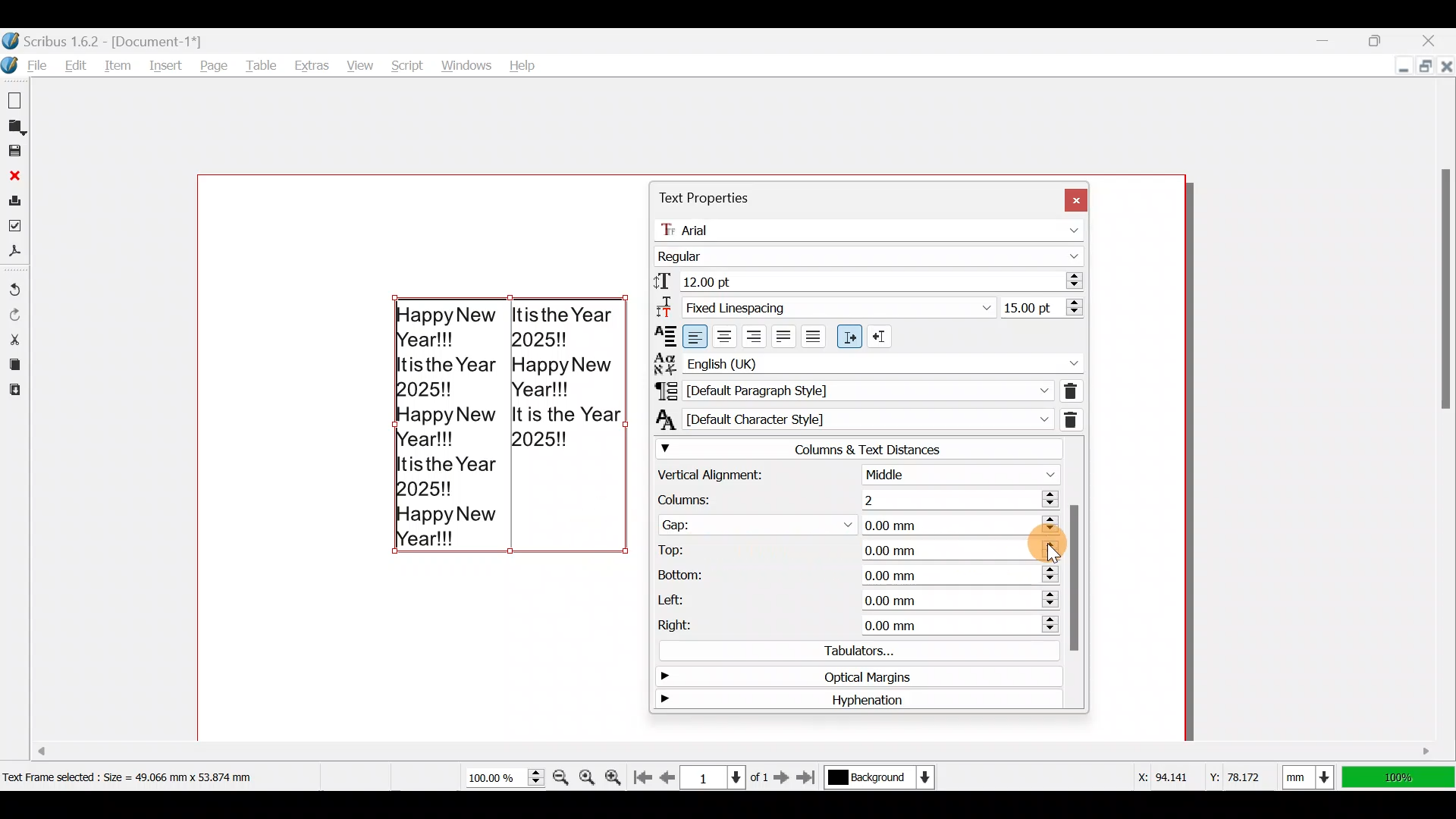 The height and width of the screenshot is (819, 1456). What do you see at coordinates (168, 65) in the screenshot?
I see `Insert` at bounding box center [168, 65].